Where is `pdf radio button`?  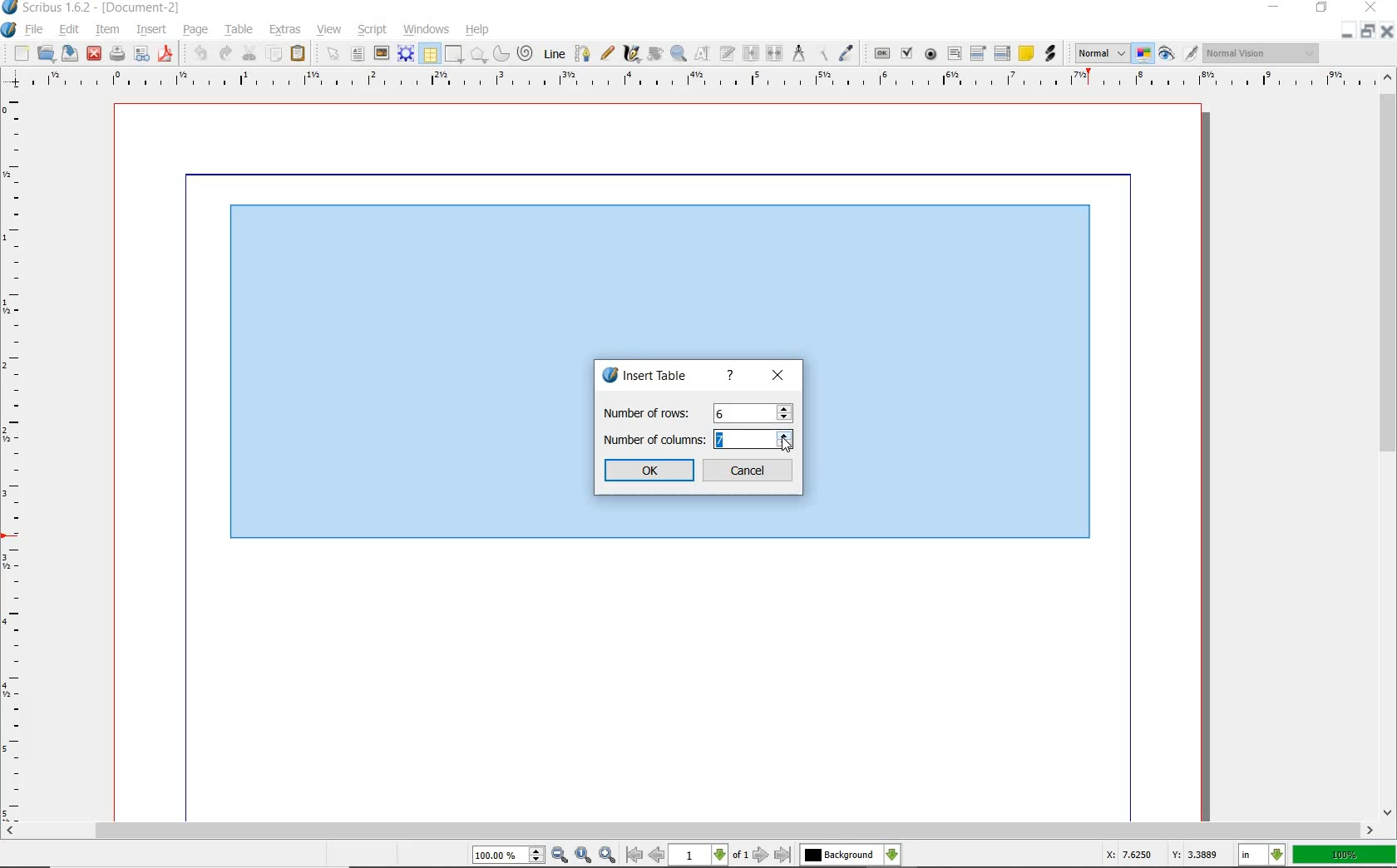
pdf radio button is located at coordinates (931, 55).